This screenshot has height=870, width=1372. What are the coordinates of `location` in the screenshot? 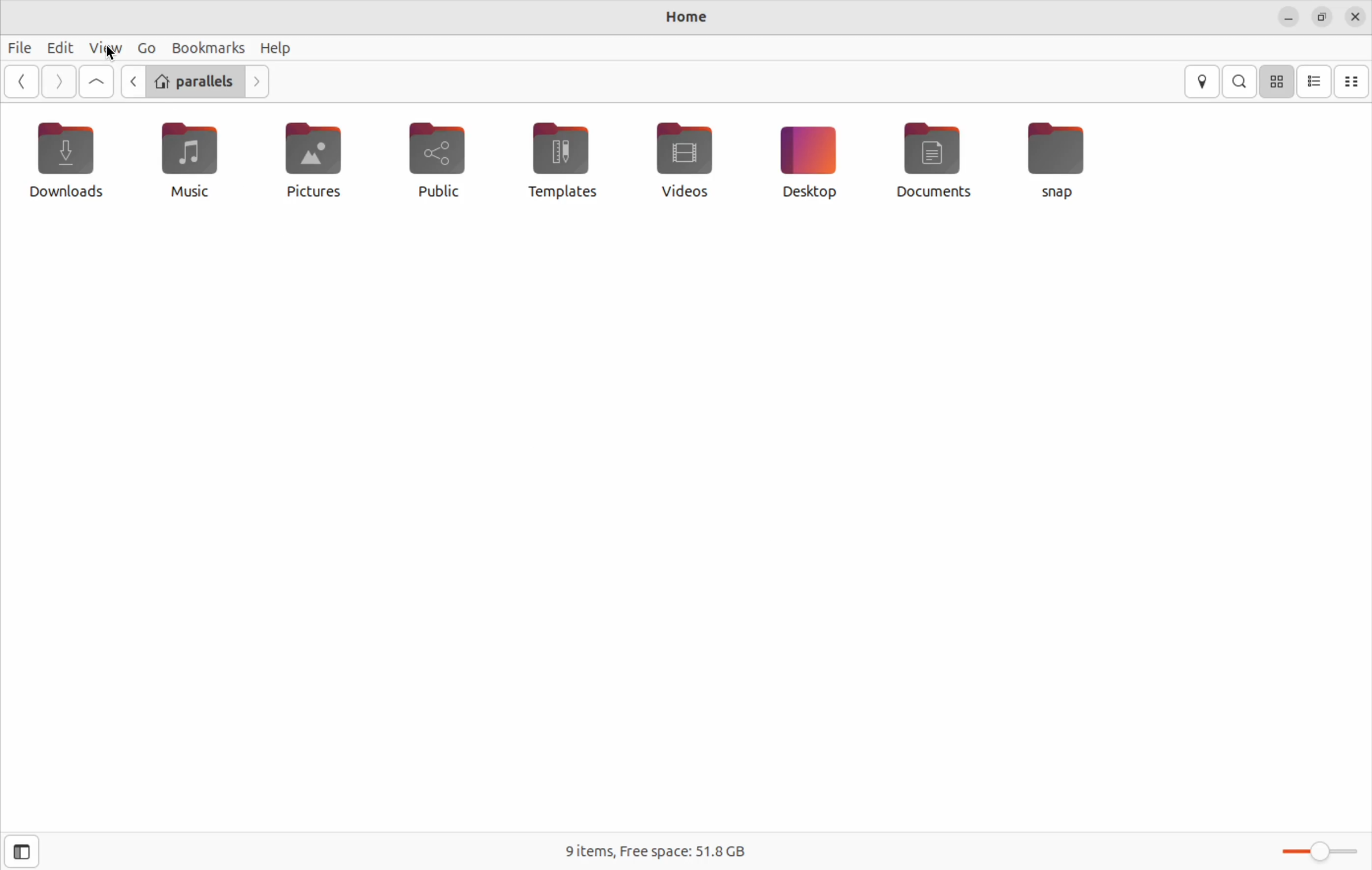 It's located at (1204, 82).